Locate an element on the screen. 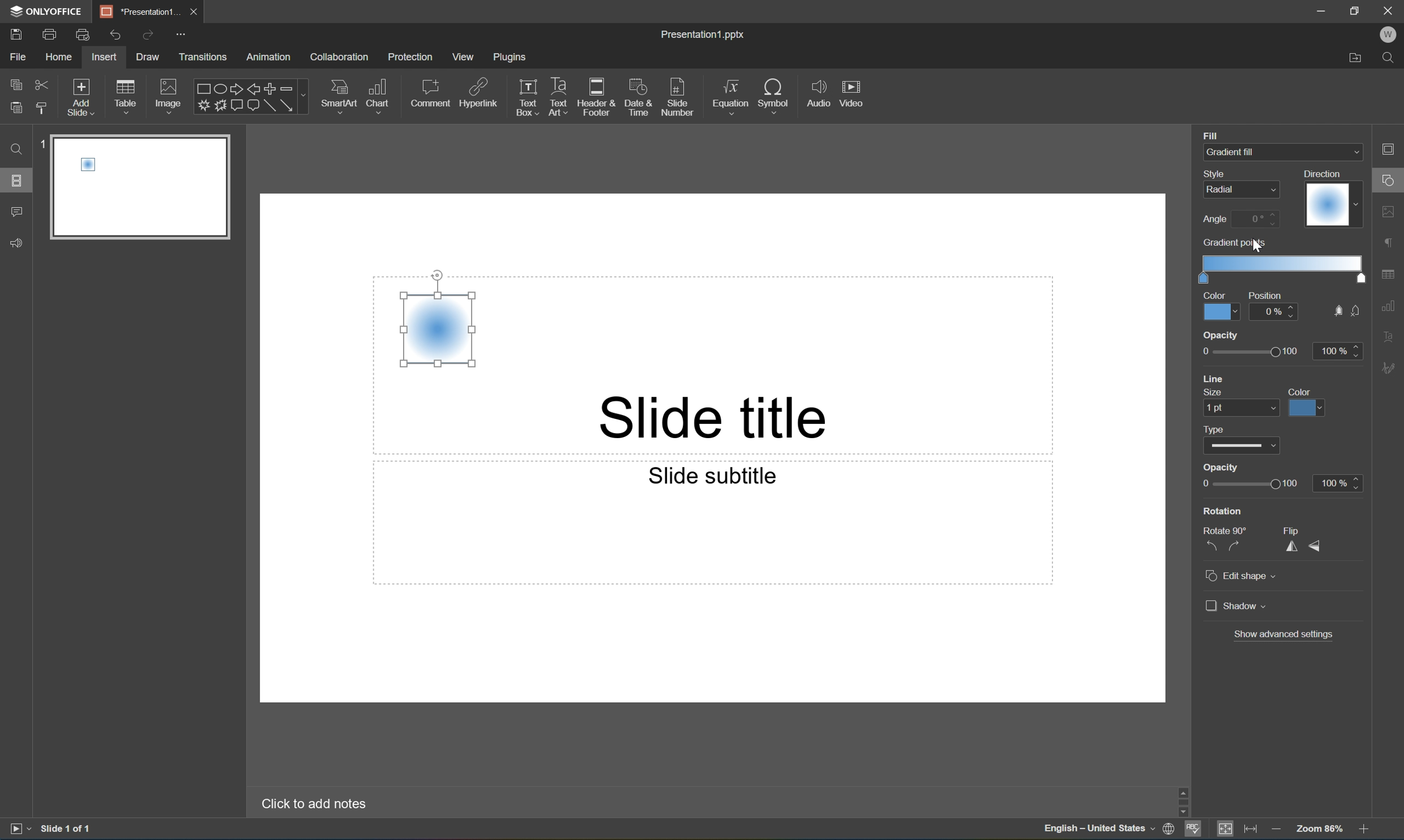  Slider is located at coordinates (1248, 485).